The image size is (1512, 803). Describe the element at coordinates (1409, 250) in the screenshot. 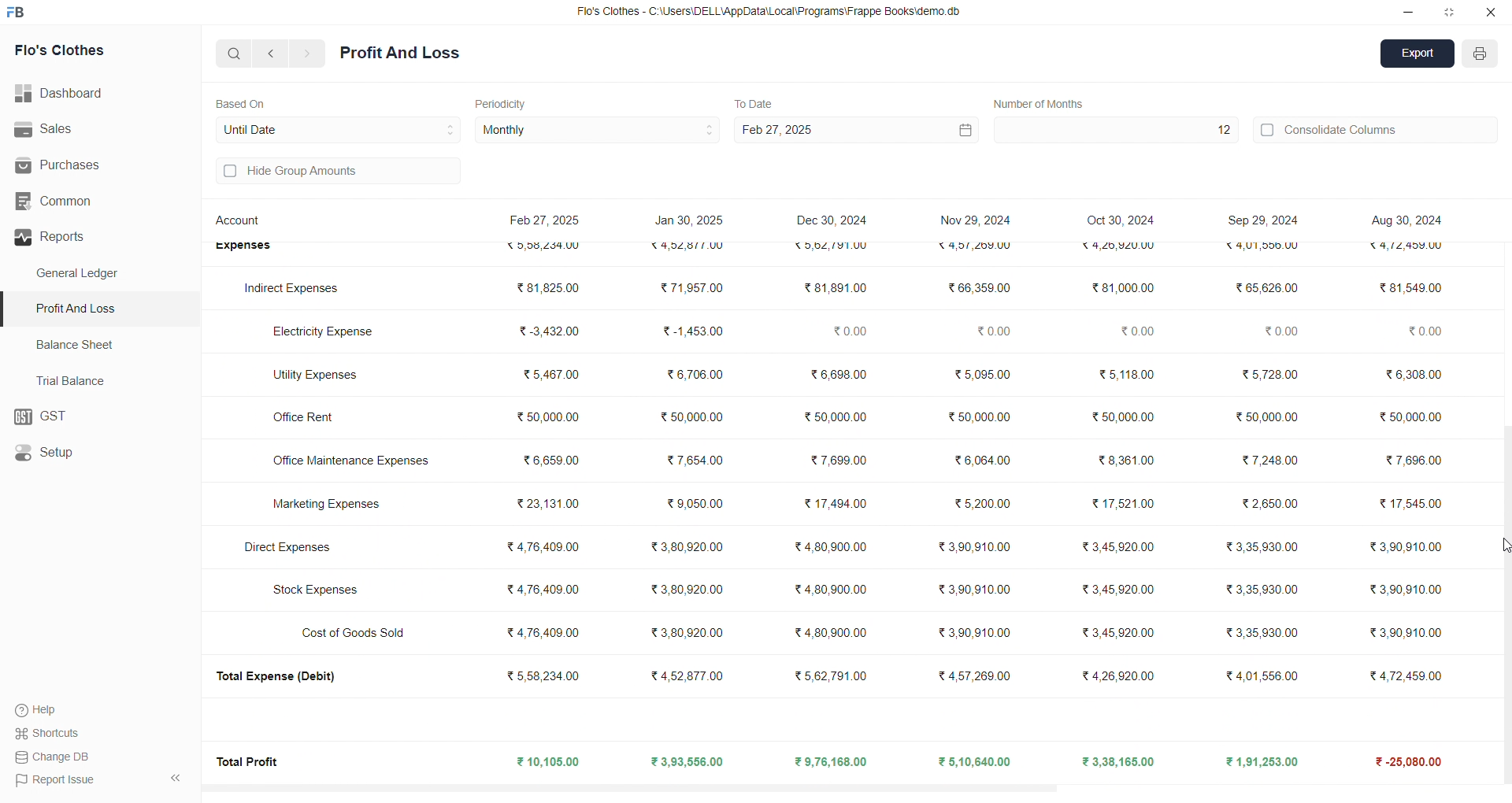

I see `€4,72,459.00` at that location.